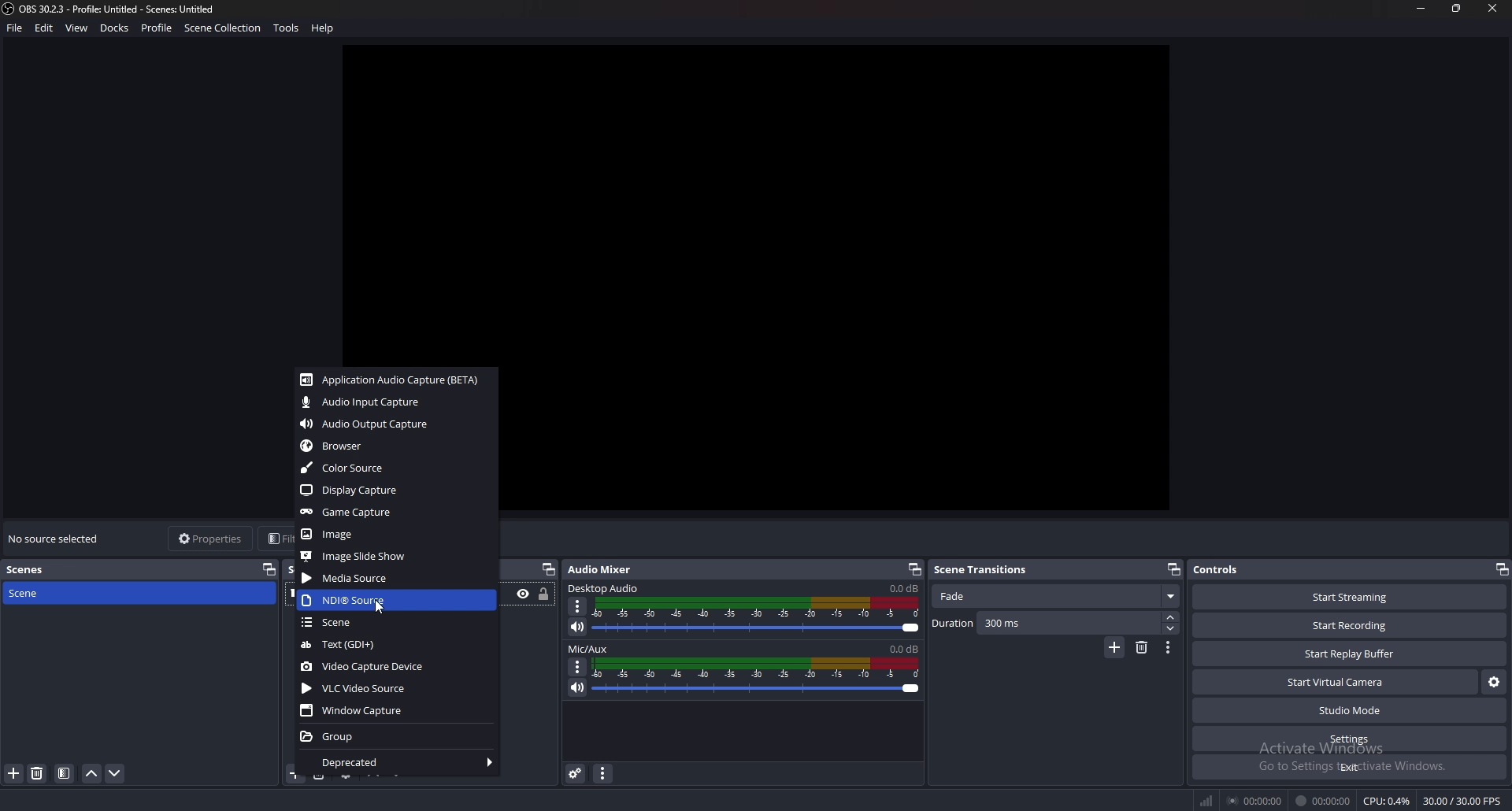 The height and width of the screenshot is (811, 1512). Describe the element at coordinates (1348, 739) in the screenshot. I see `settings` at that location.